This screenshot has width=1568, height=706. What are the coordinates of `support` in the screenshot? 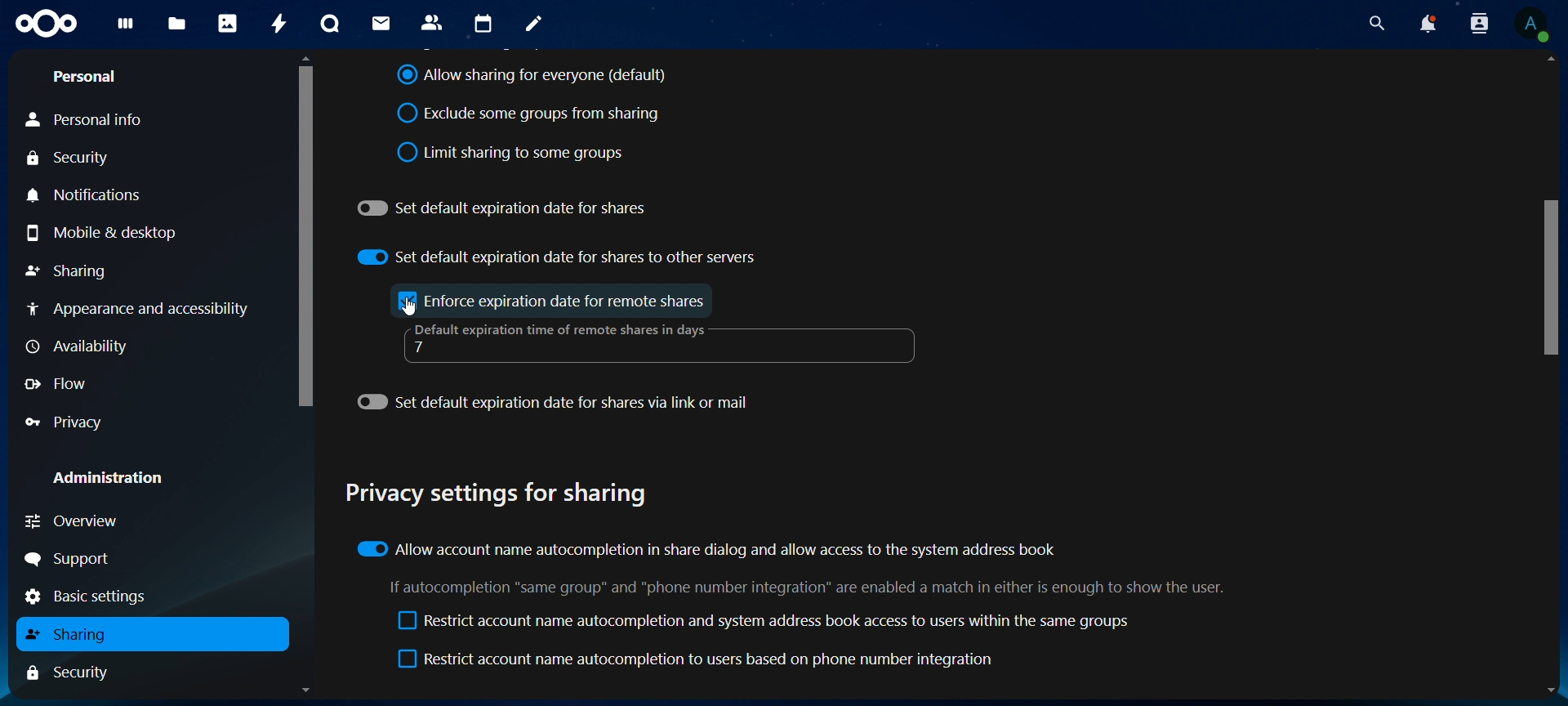 It's located at (75, 559).